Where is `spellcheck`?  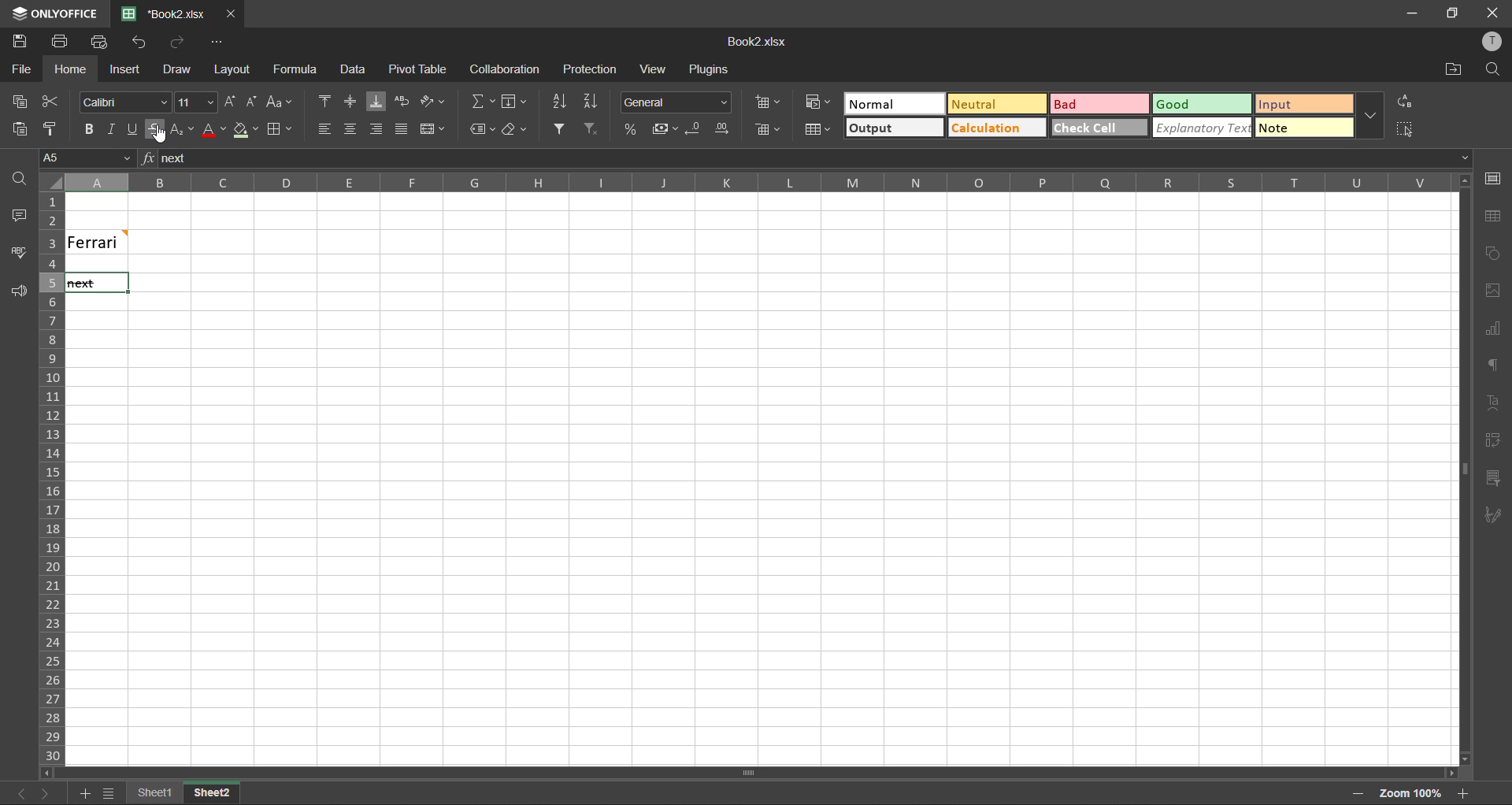
spellcheck is located at coordinates (20, 254).